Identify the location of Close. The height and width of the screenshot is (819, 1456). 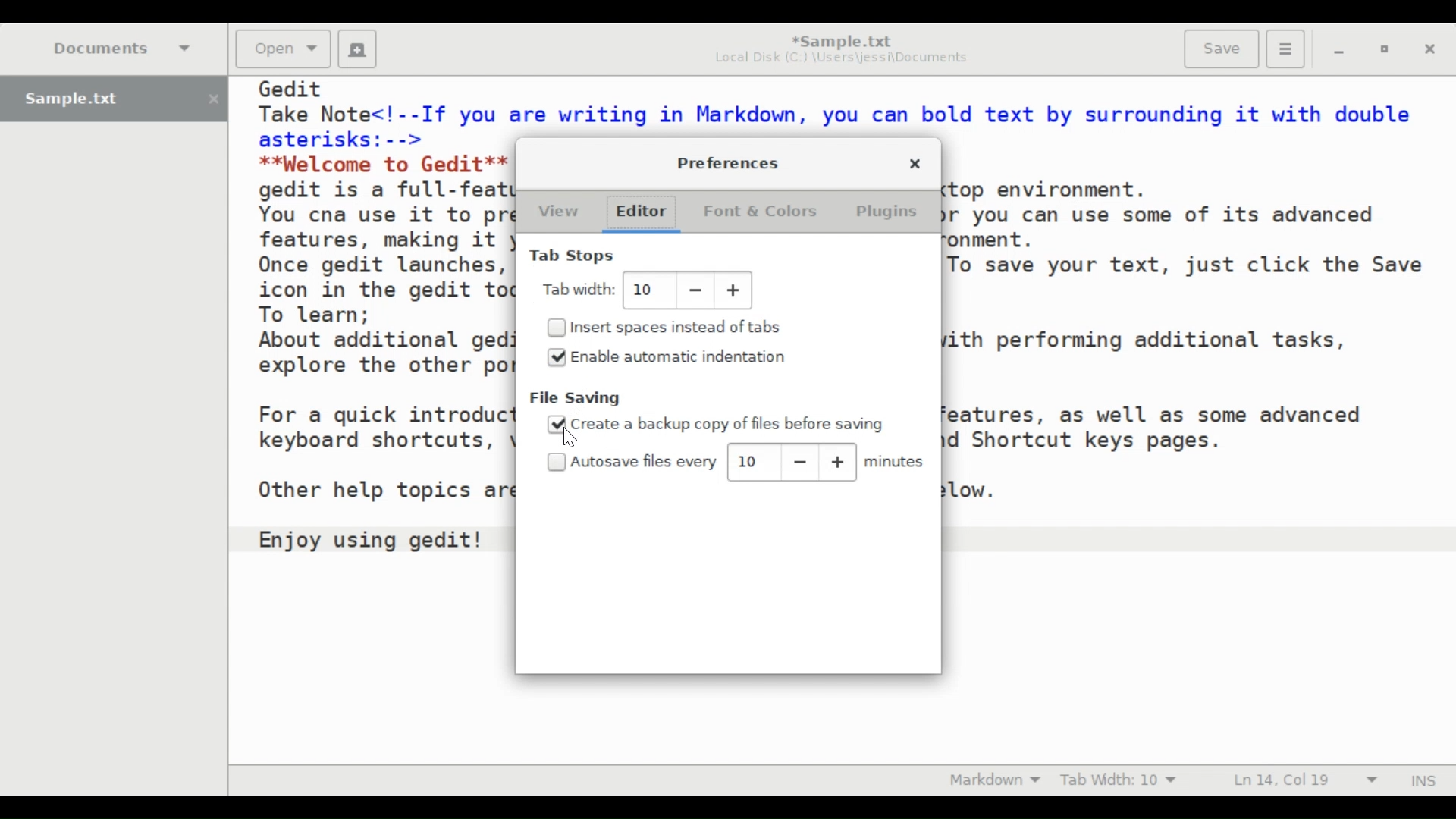
(915, 165).